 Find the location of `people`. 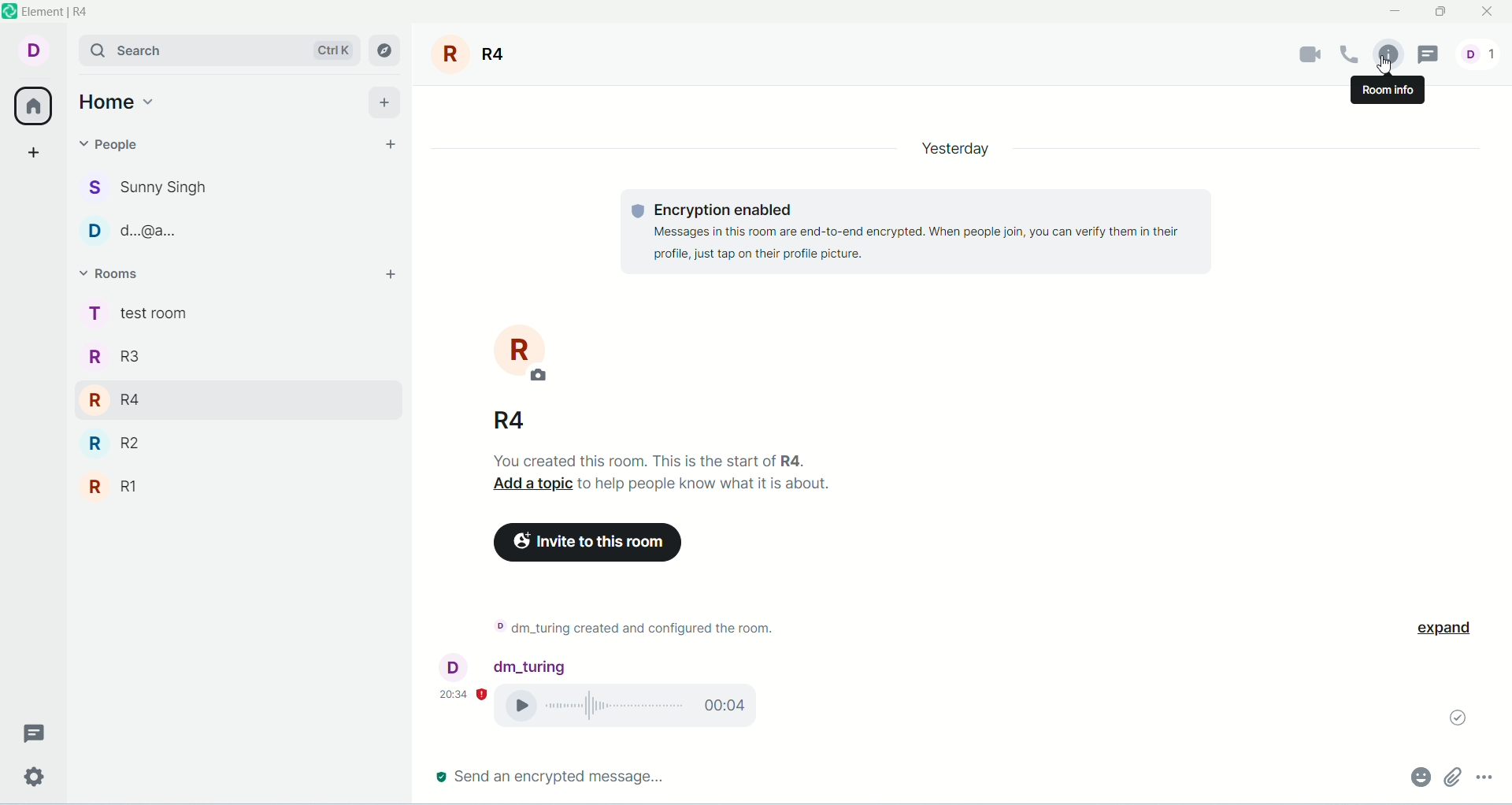

people is located at coordinates (120, 150).